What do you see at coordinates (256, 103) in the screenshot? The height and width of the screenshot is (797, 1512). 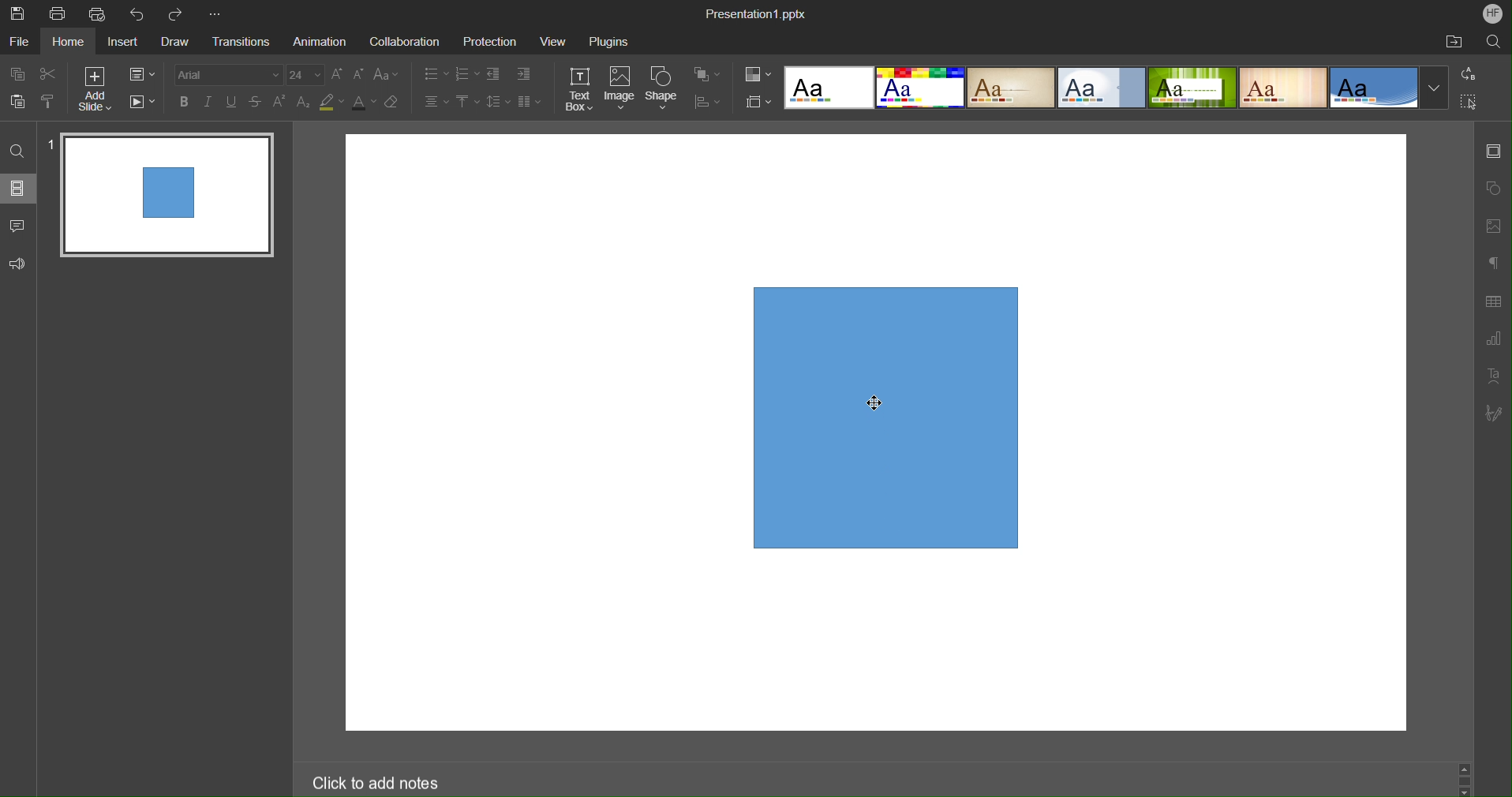 I see `Strikethrough` at bounding box center [256, 103].